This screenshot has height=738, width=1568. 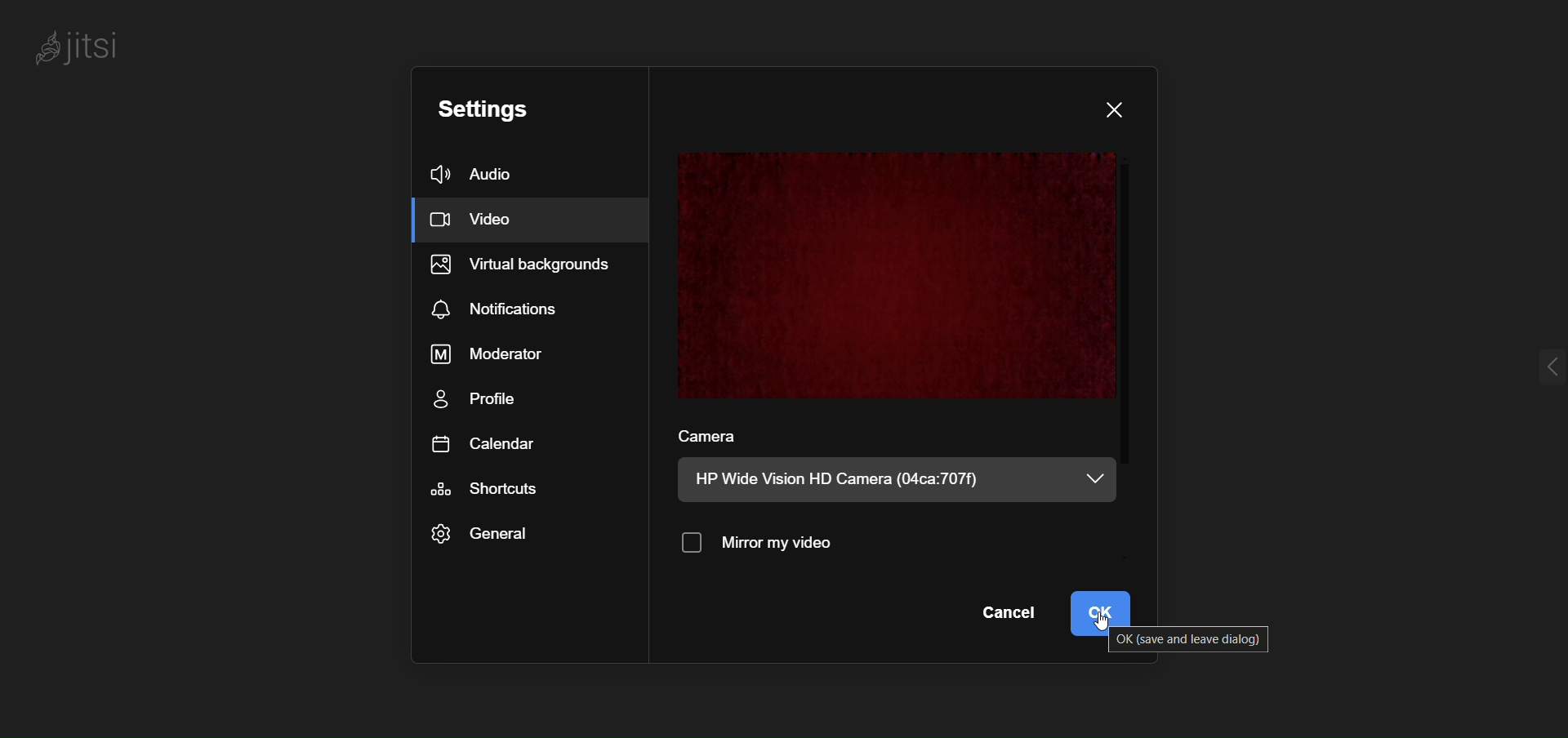 What do you see at coordinates (1096, 478) in the screenshot?
I see `dropdown` at bounding box center [1096, 478].